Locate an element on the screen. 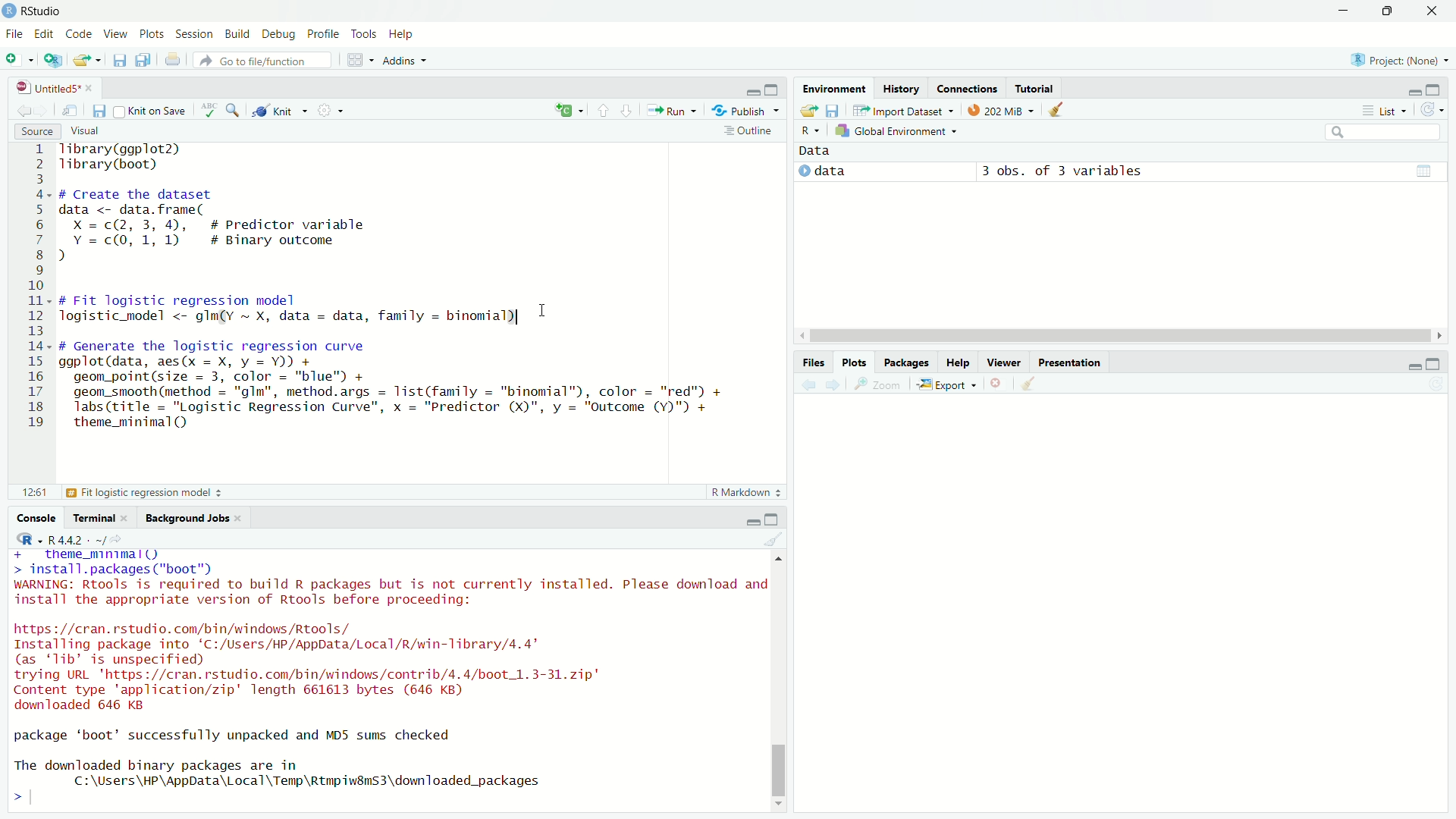  Help is located at coordinates (402, 33).